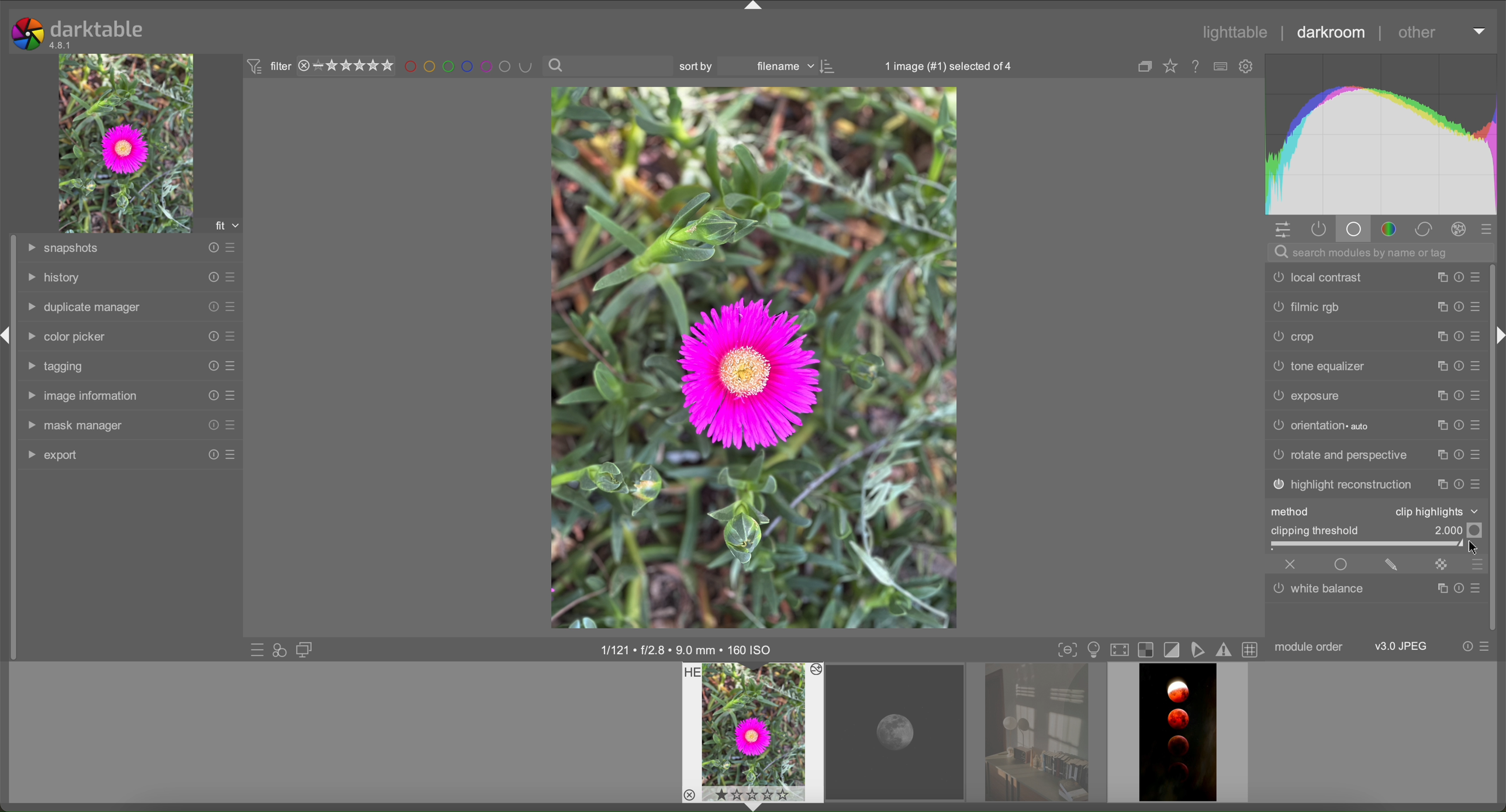 The width and height of the screenshot is (1506, 812). I want to click on crop, so click(1296, 336).